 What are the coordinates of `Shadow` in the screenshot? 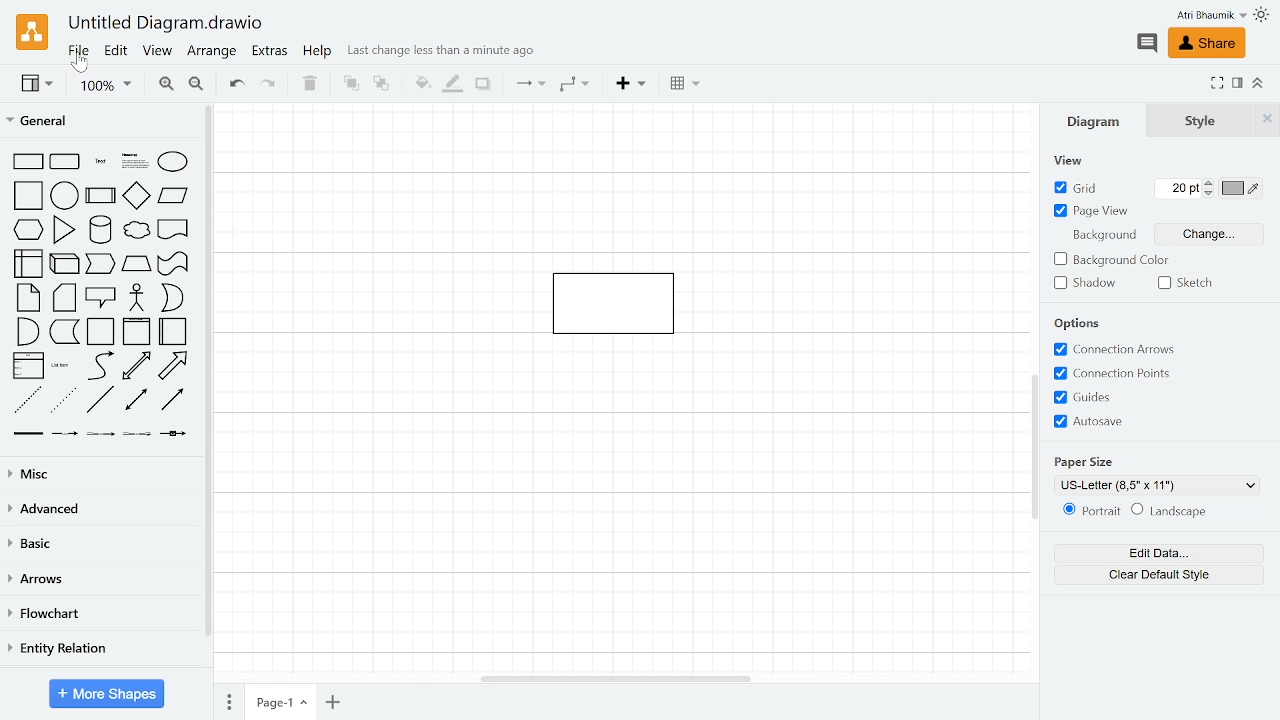 It's located at (483, 84).